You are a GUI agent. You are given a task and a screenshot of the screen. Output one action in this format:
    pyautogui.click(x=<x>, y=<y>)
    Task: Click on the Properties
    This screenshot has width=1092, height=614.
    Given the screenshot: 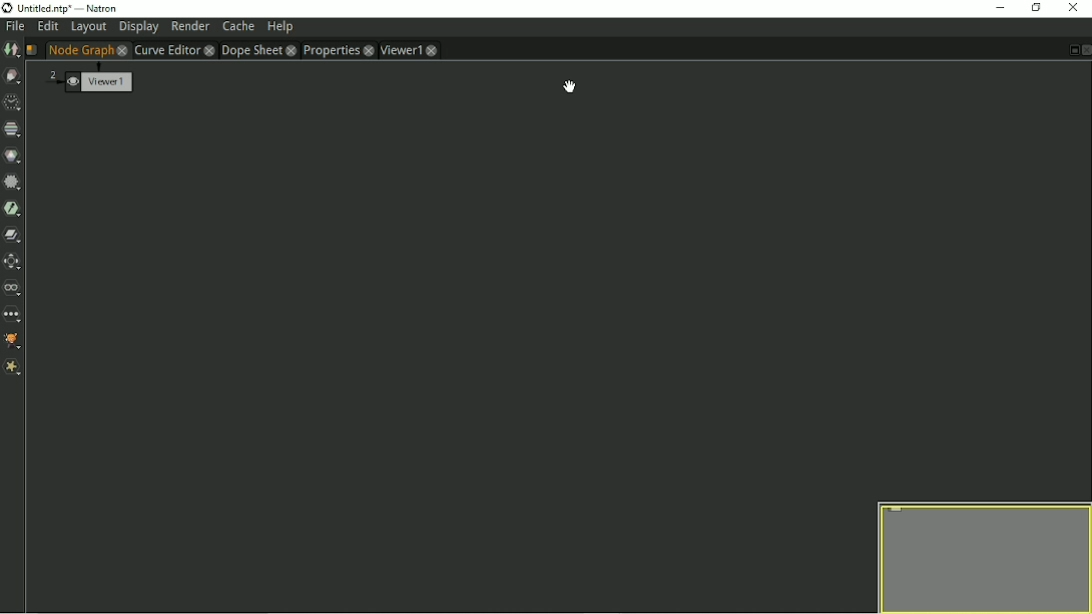 What is the action you would take?
    pyautogui.click(x=330, y=50)
    